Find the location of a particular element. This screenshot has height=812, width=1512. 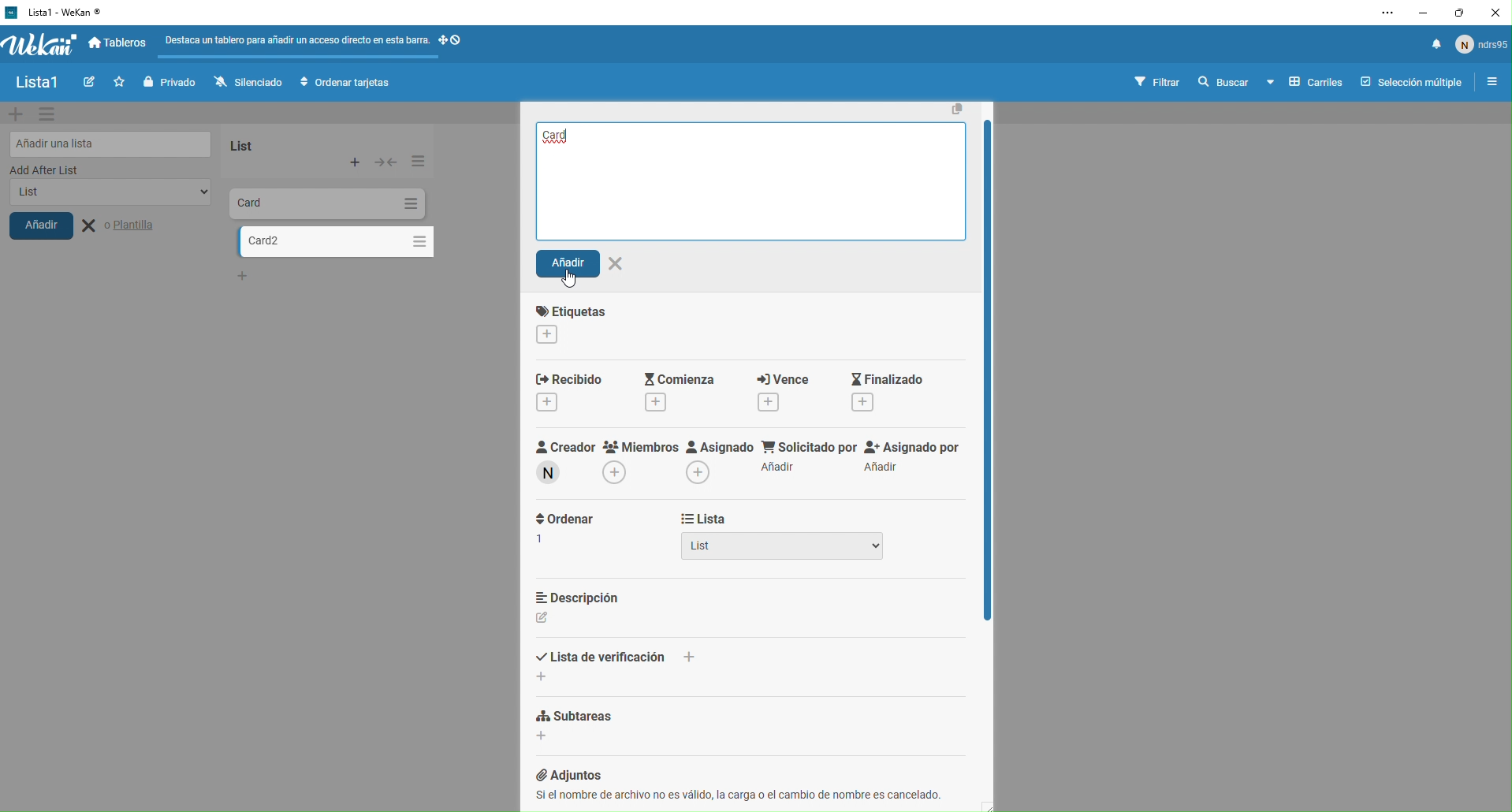

add new  is located at coordinates (16, 114).